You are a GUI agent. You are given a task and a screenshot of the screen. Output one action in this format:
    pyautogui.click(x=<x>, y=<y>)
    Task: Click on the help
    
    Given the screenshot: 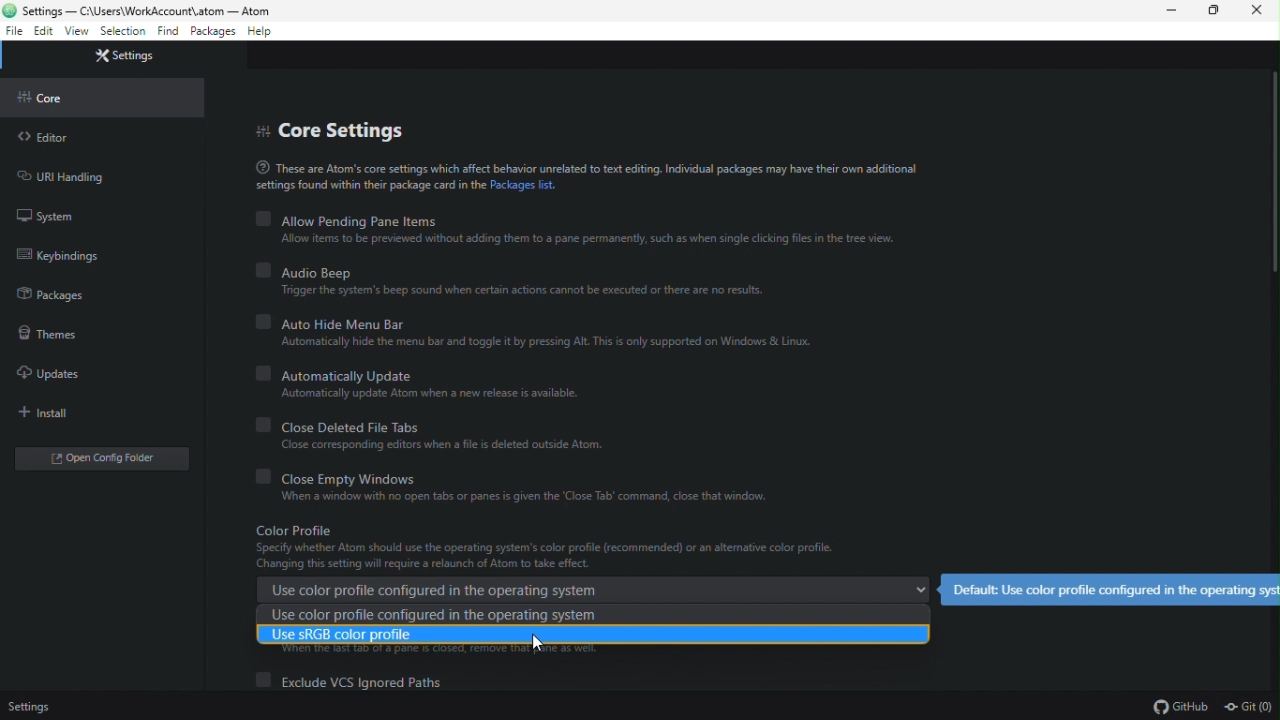 What is the action you would take?
    pyautogui.click(x=262, y=33)
    